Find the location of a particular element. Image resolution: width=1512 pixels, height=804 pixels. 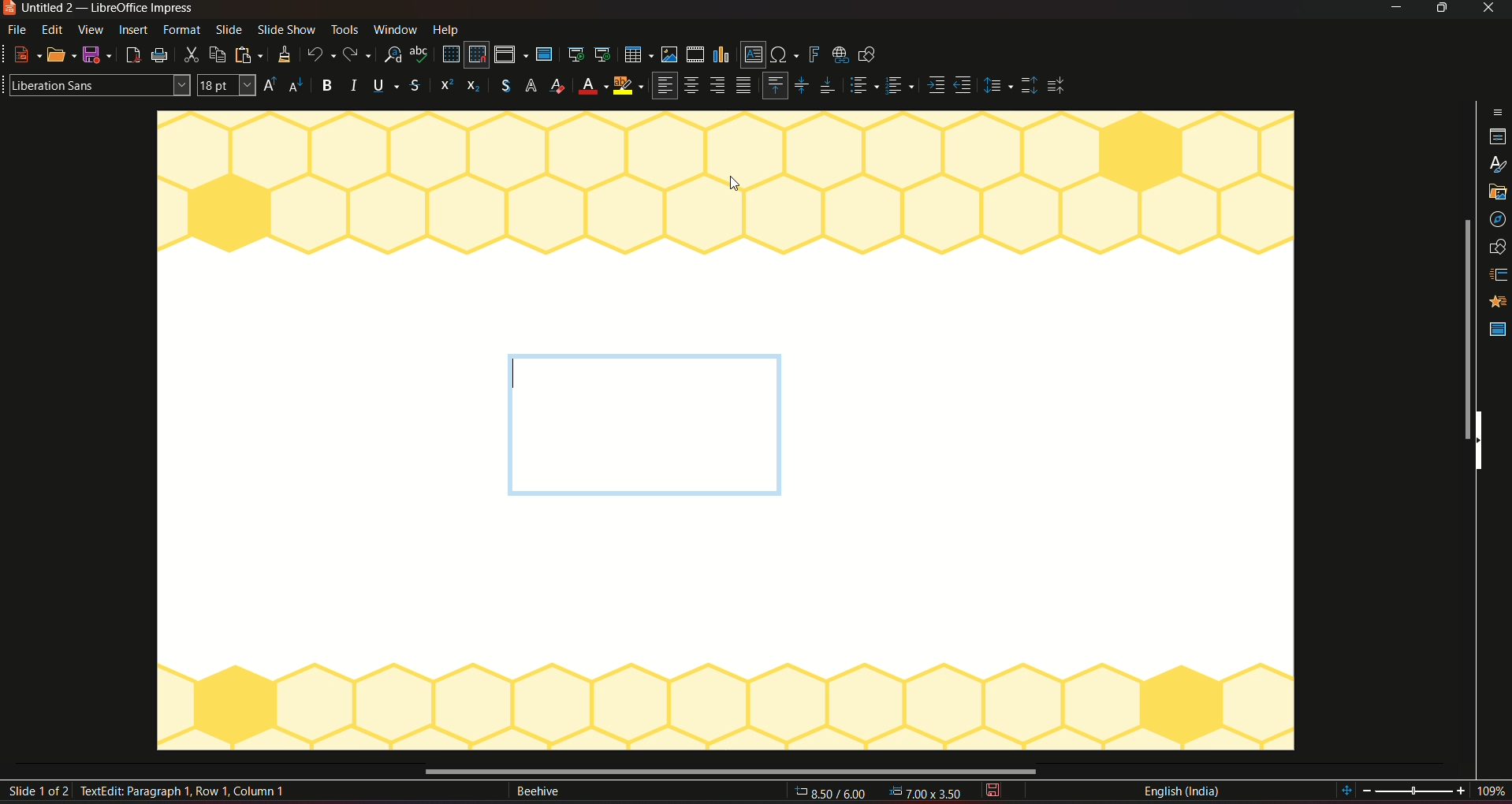

view is located at coordinates (91, 30).